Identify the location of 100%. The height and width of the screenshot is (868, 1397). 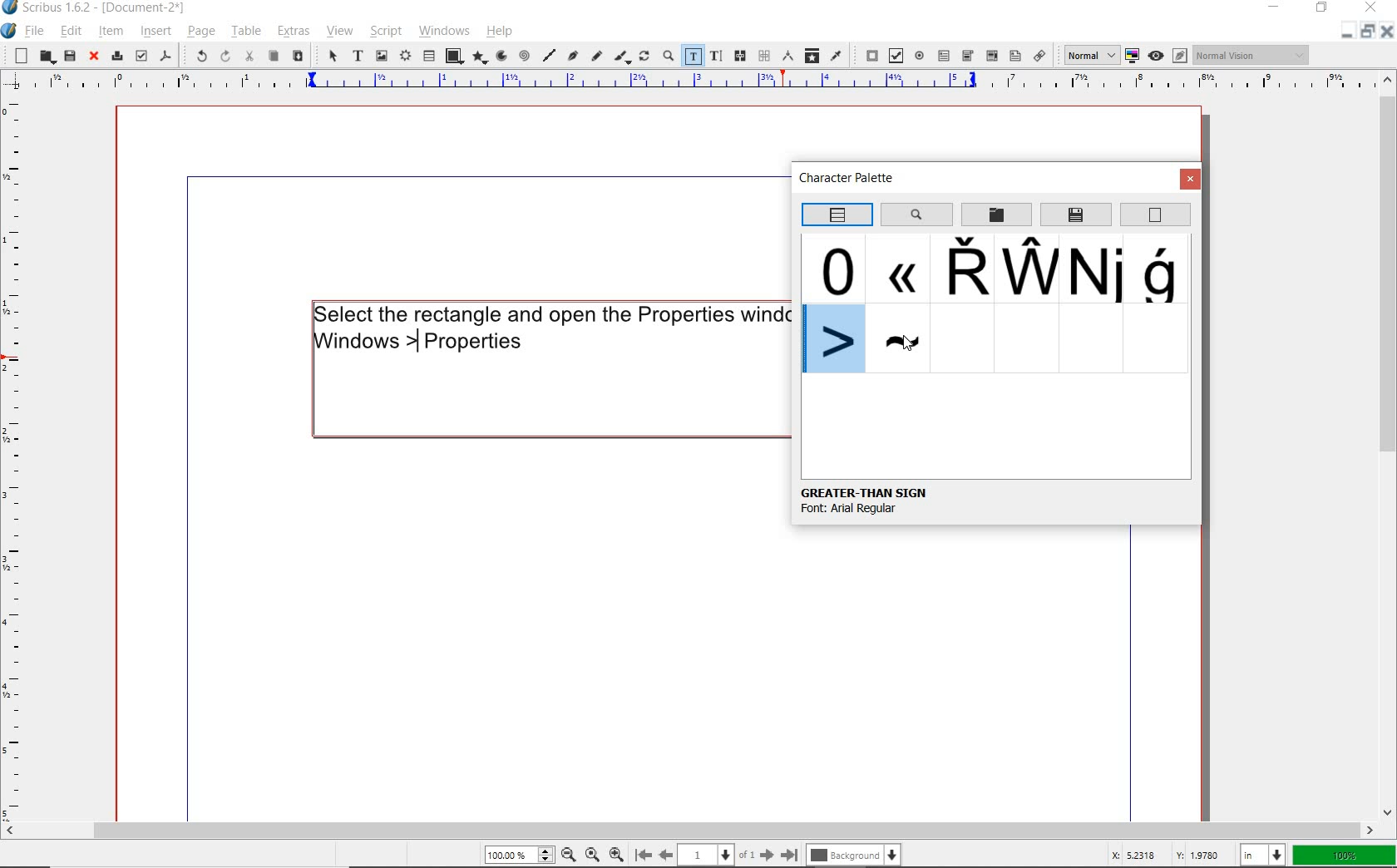
(1345, 856).